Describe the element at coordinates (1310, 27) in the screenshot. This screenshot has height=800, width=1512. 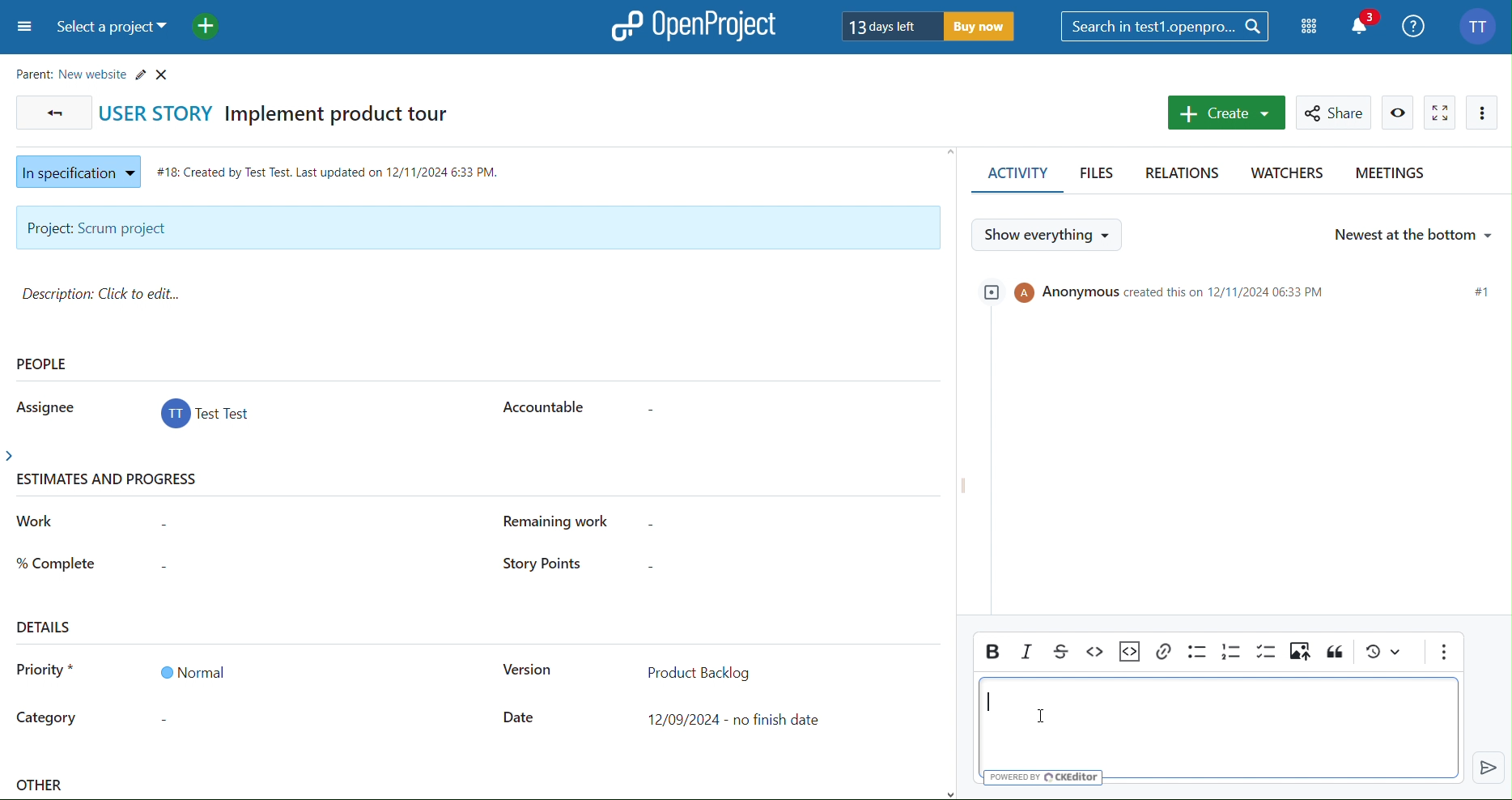
I see `Modules` at that location.